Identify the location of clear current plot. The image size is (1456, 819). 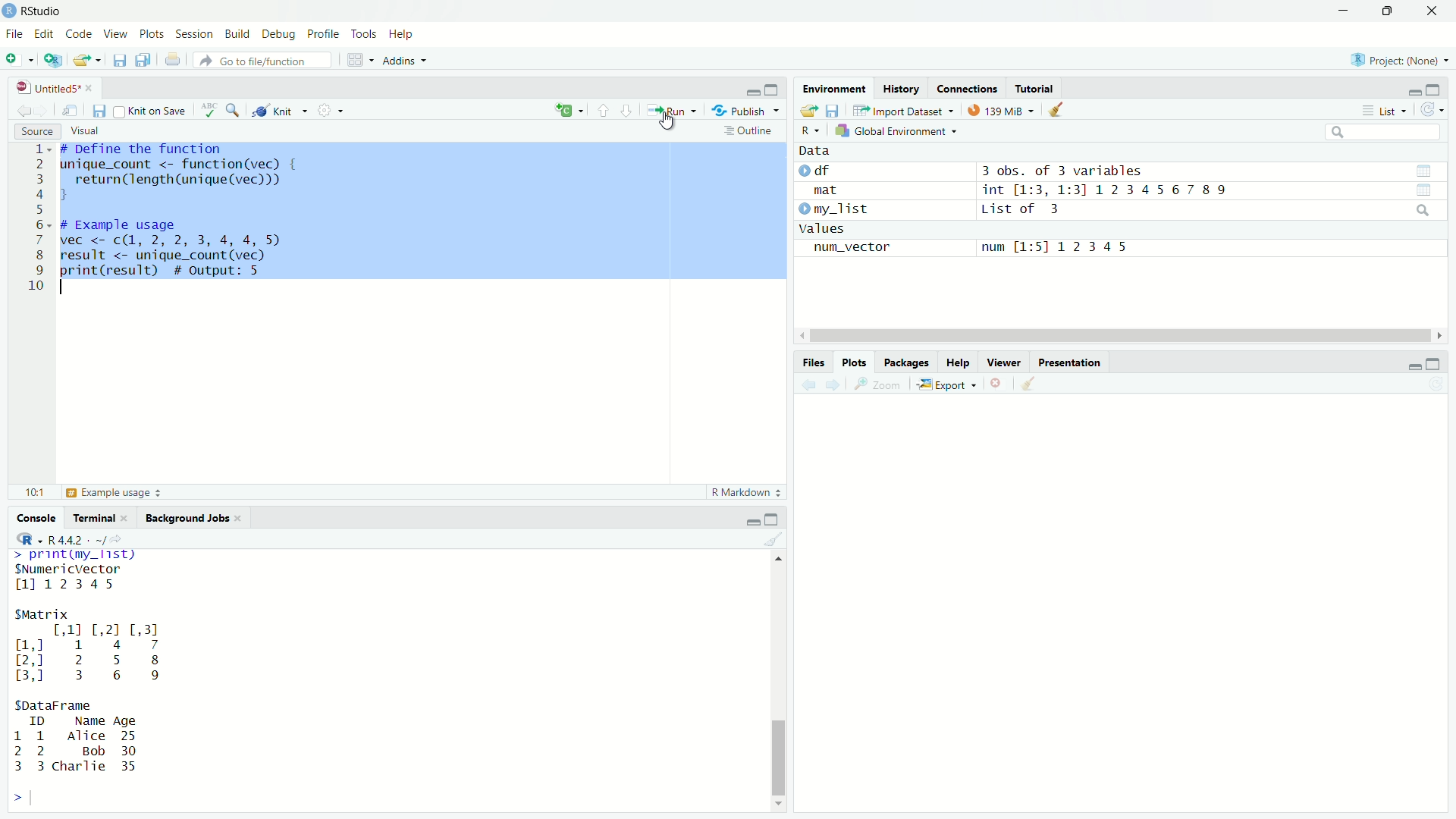
(998, 384).